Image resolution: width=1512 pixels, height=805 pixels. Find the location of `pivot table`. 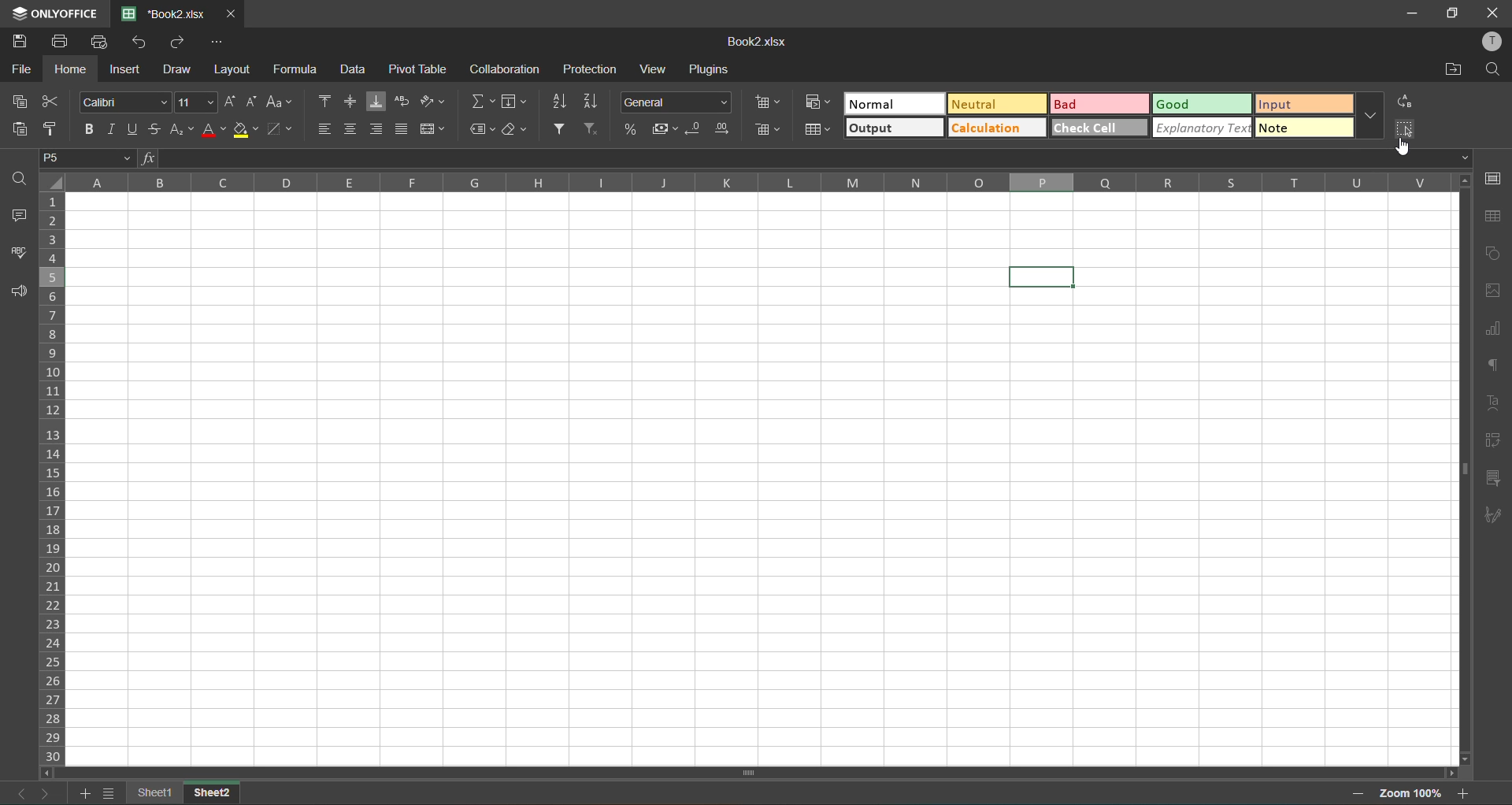

pivot table is located at coordinates (419, 69).